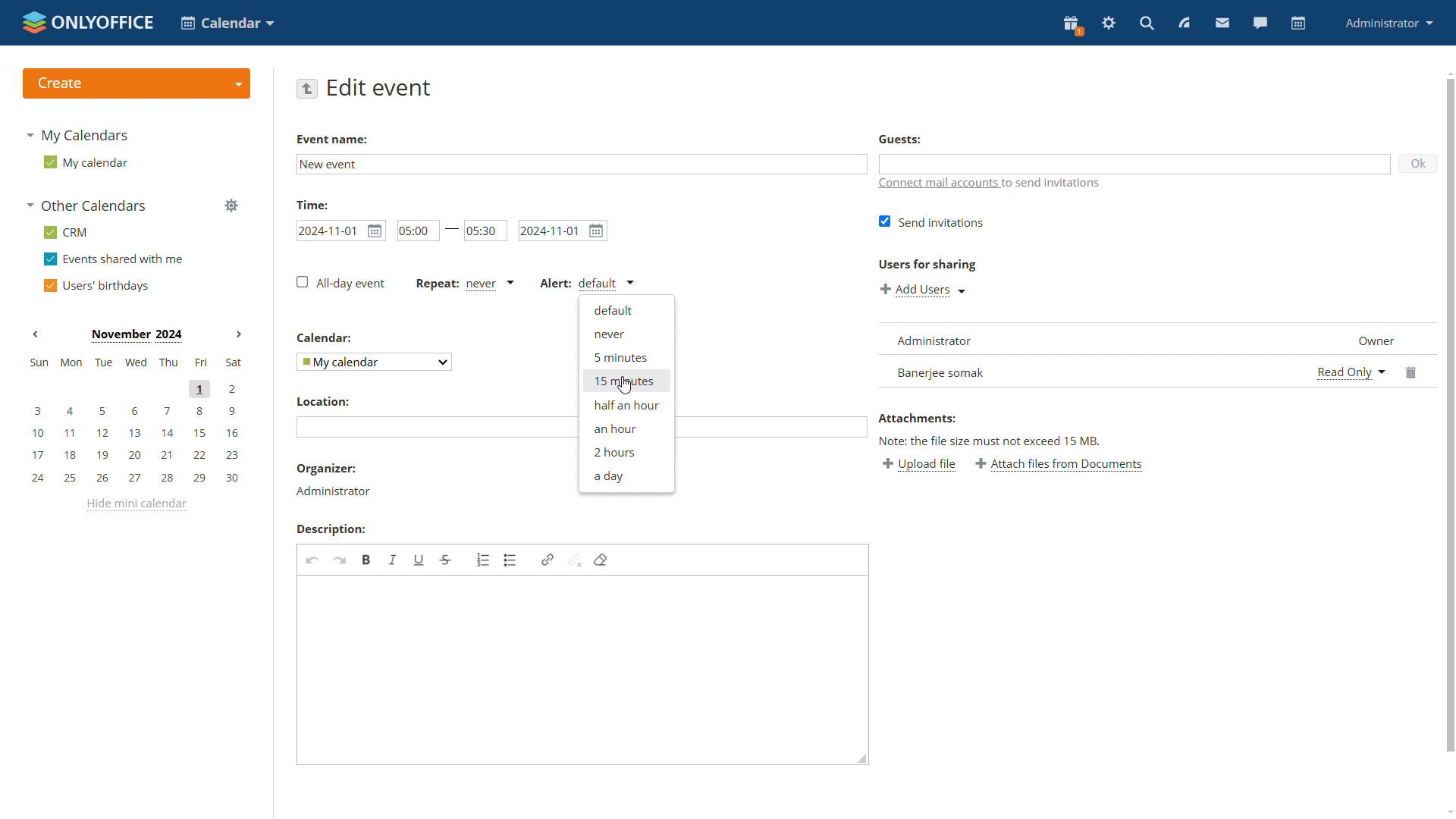 This screenshot has height=819, width=1456. What do you see at coordinates (306, 88) in the screenshot?
I see `go back` at bounding box center [306, 88].